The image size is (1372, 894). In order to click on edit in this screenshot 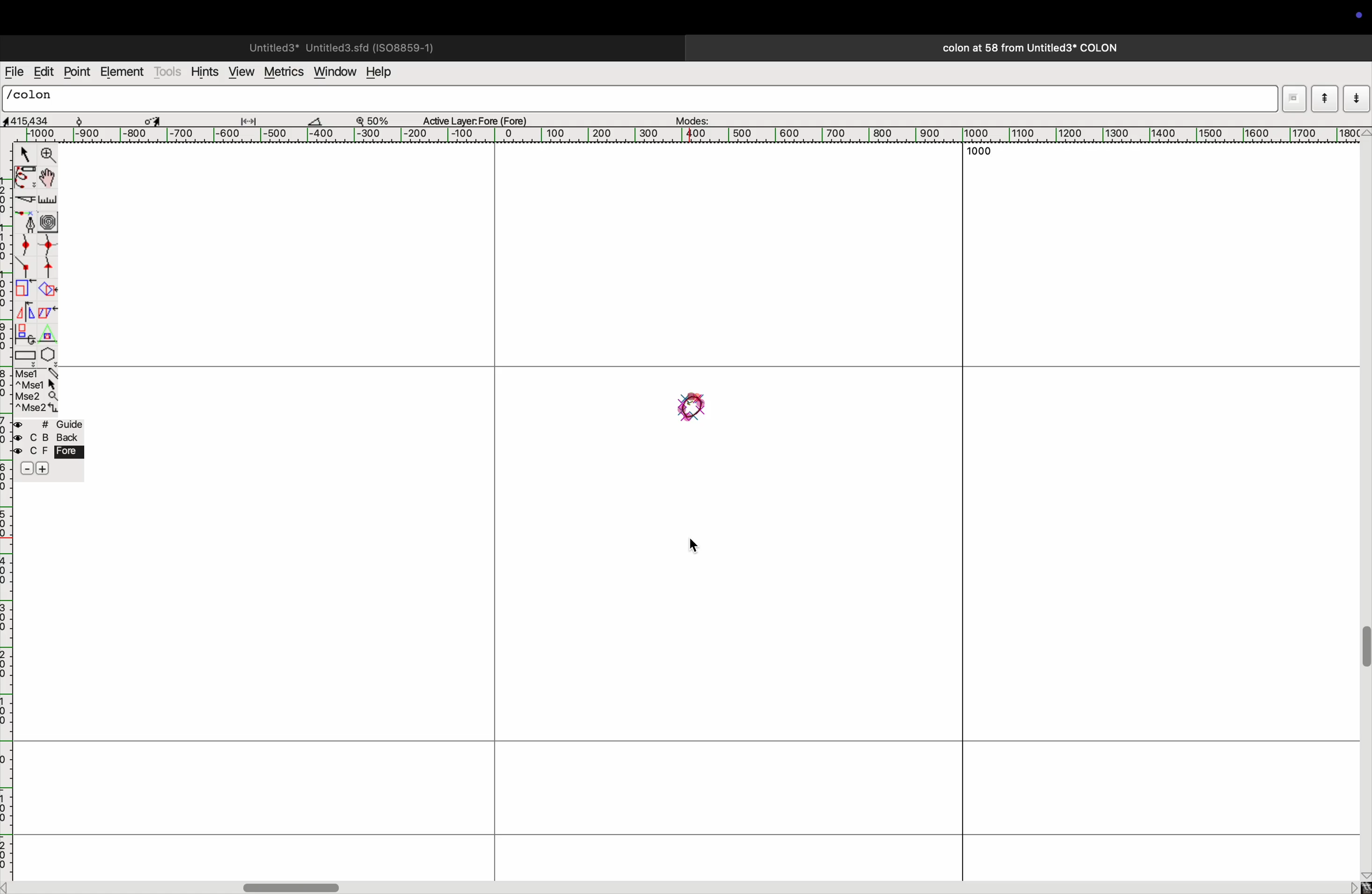, I will do `click(43, 72)`.